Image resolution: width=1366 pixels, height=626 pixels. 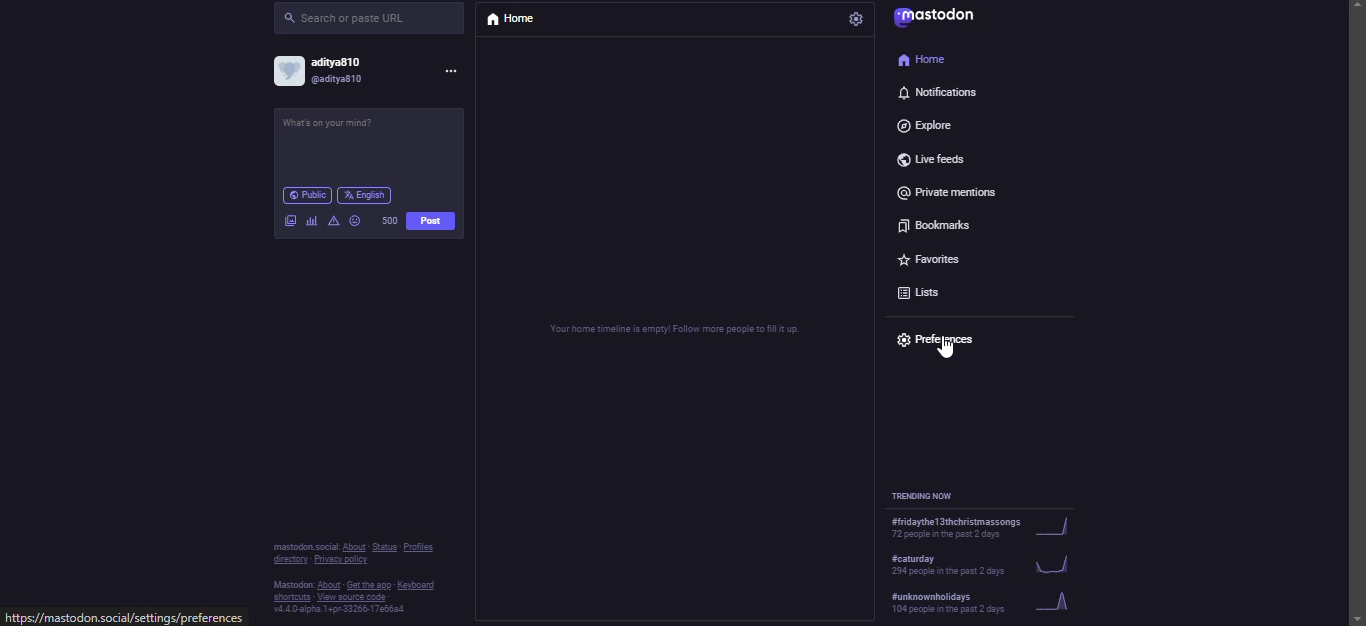 What do you see at coordinates (355, 219) in the screenshot?
I see `emoji` at bounding box center [355, 219].